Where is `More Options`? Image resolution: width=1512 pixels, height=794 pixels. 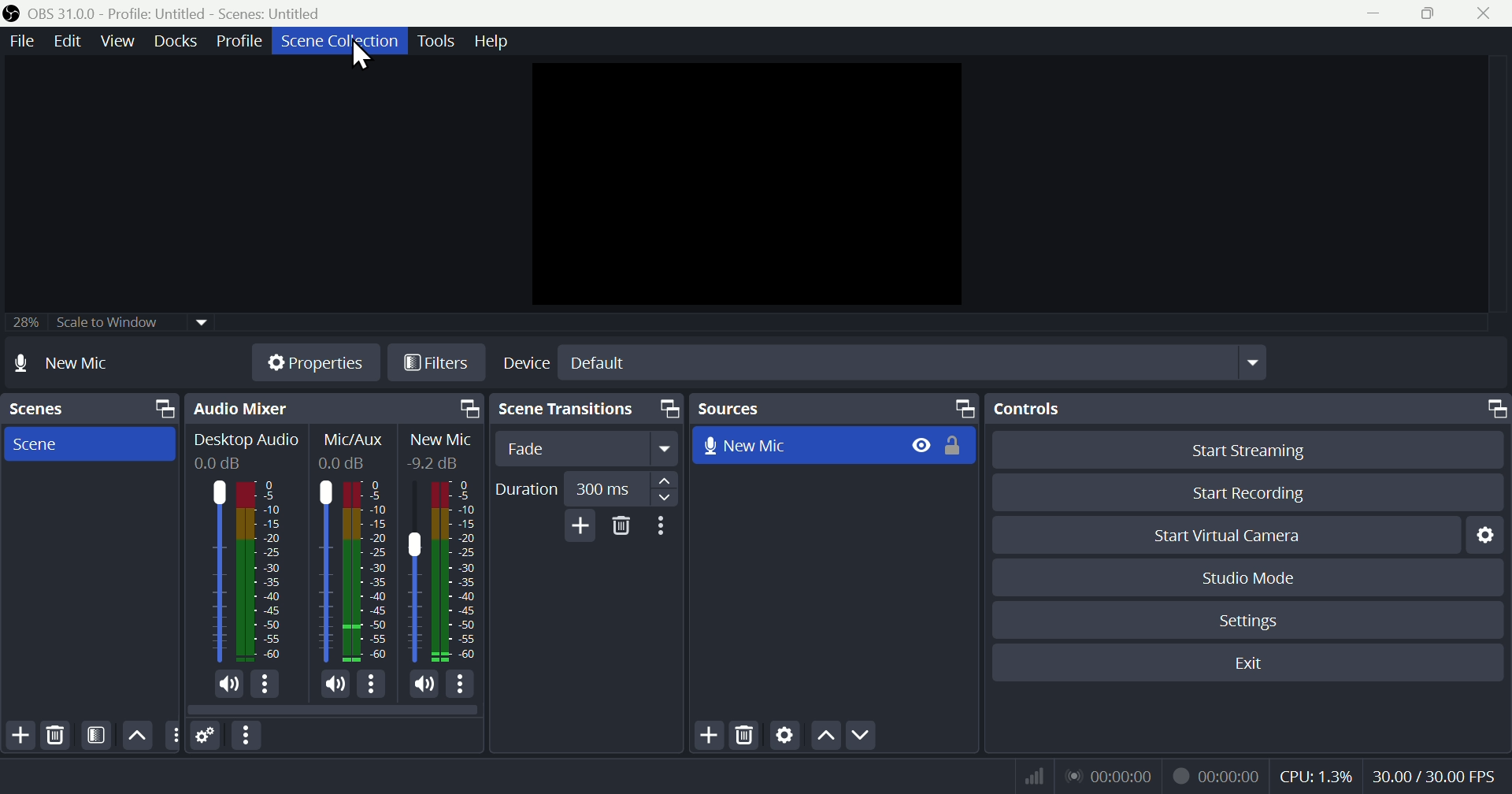 More Options is located at coordinates (267, 685).